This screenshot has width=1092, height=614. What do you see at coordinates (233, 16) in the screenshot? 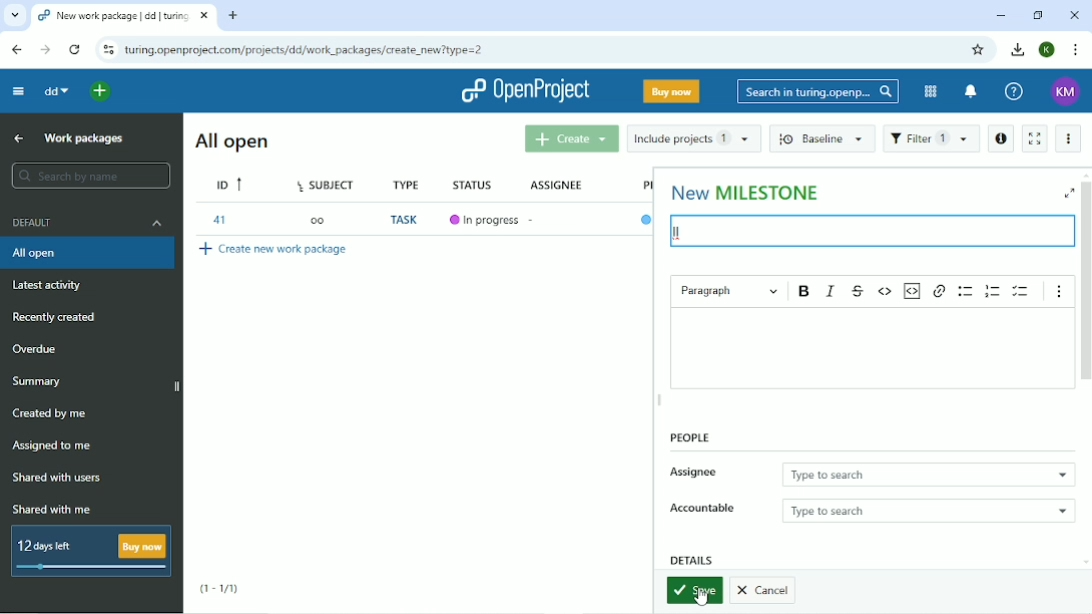
I see `New tab` at bounding box center [233, 16].